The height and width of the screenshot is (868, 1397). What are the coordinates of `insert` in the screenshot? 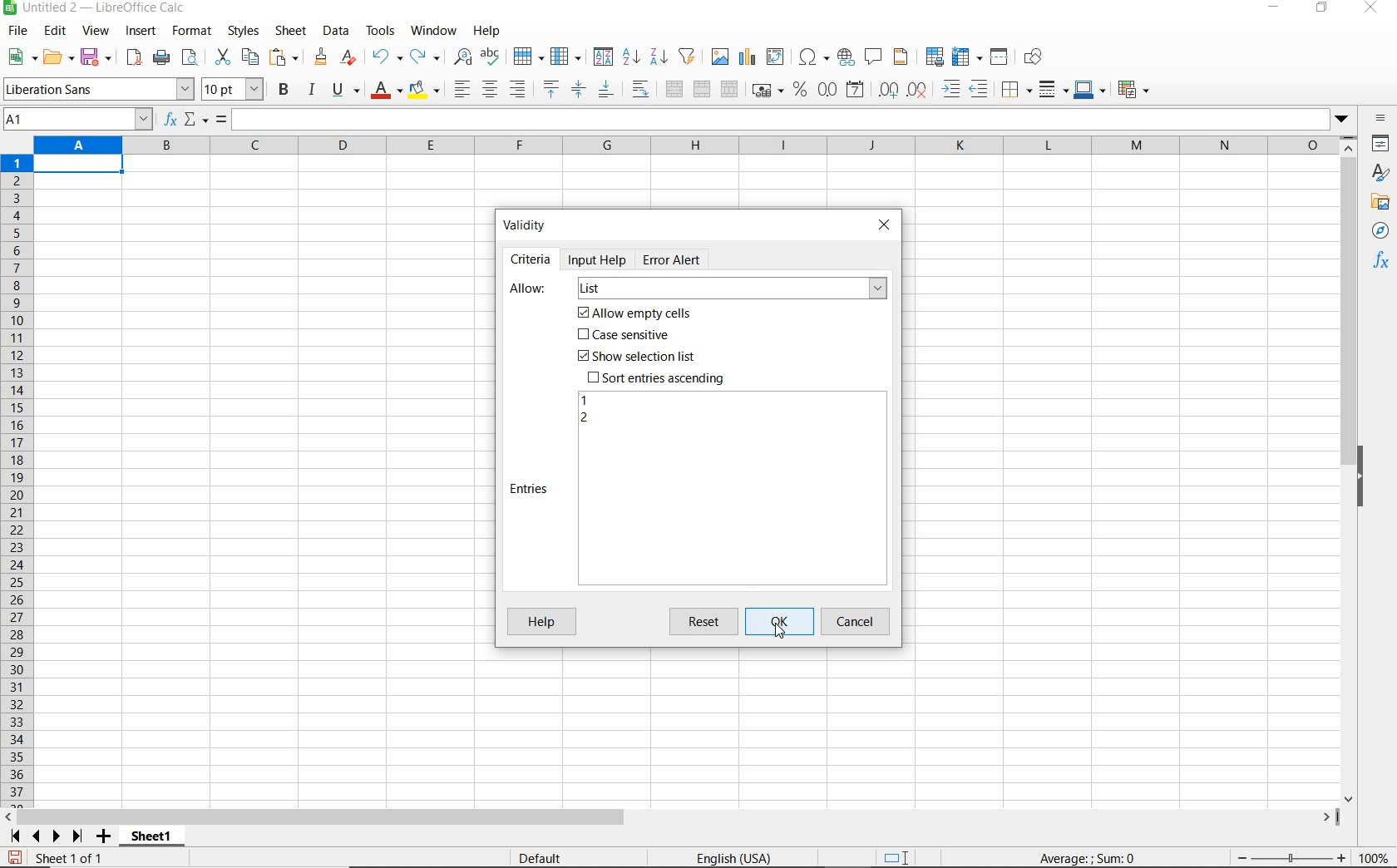 It's located at (140, 32).